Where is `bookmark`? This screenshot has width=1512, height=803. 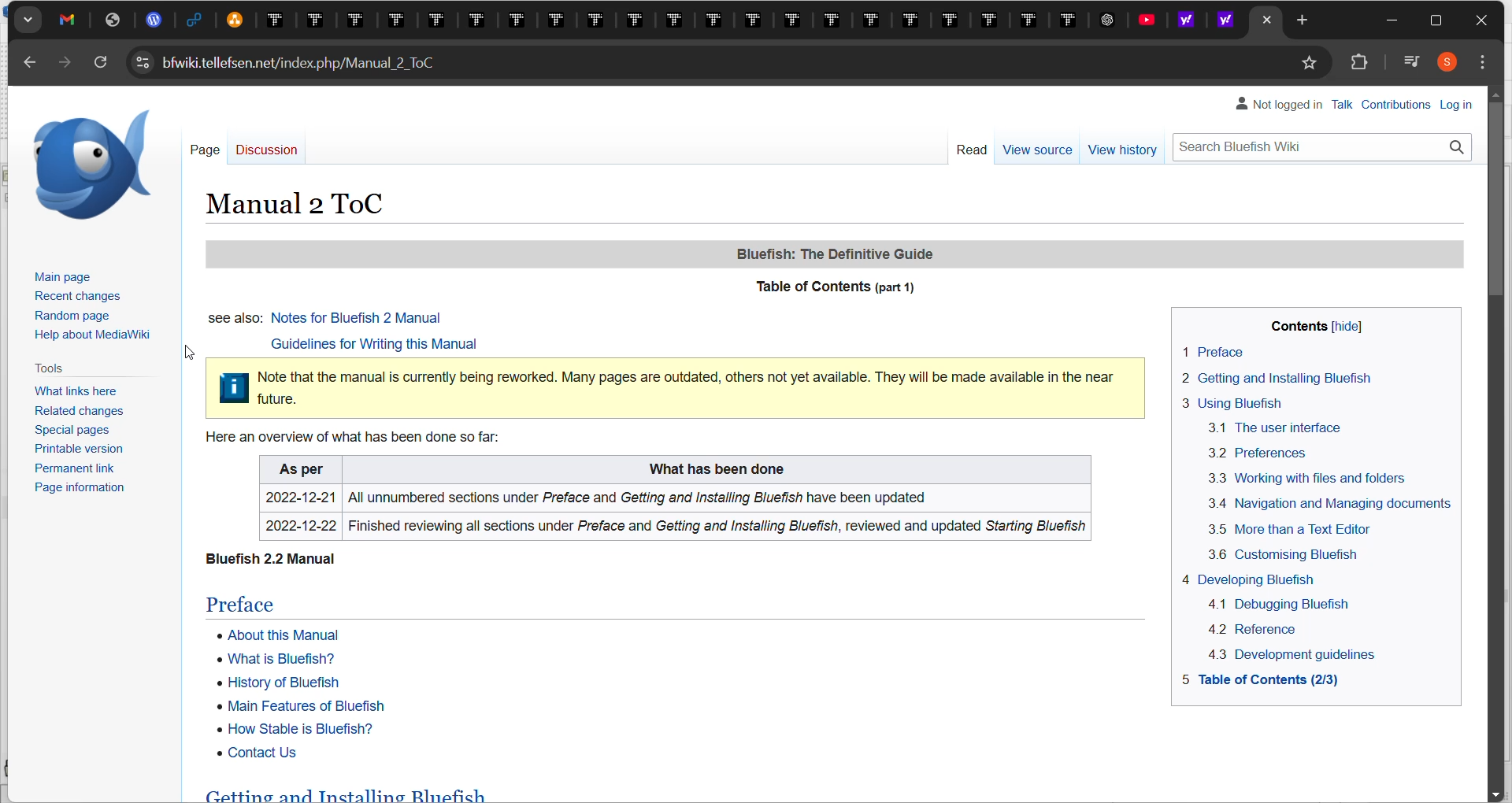
bookmark is located at coordinates (1314, 62).